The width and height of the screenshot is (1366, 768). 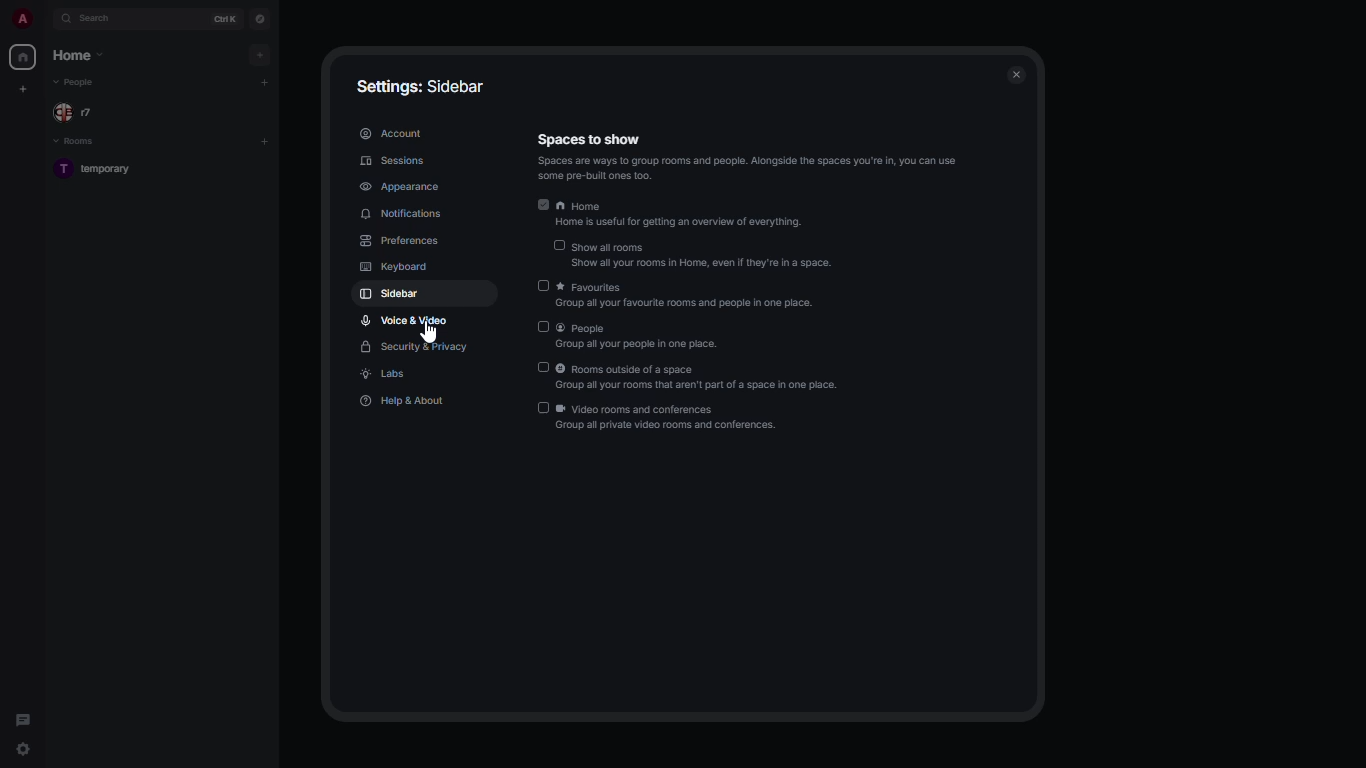 I want to click on sessions, so click(x=393, y=161).